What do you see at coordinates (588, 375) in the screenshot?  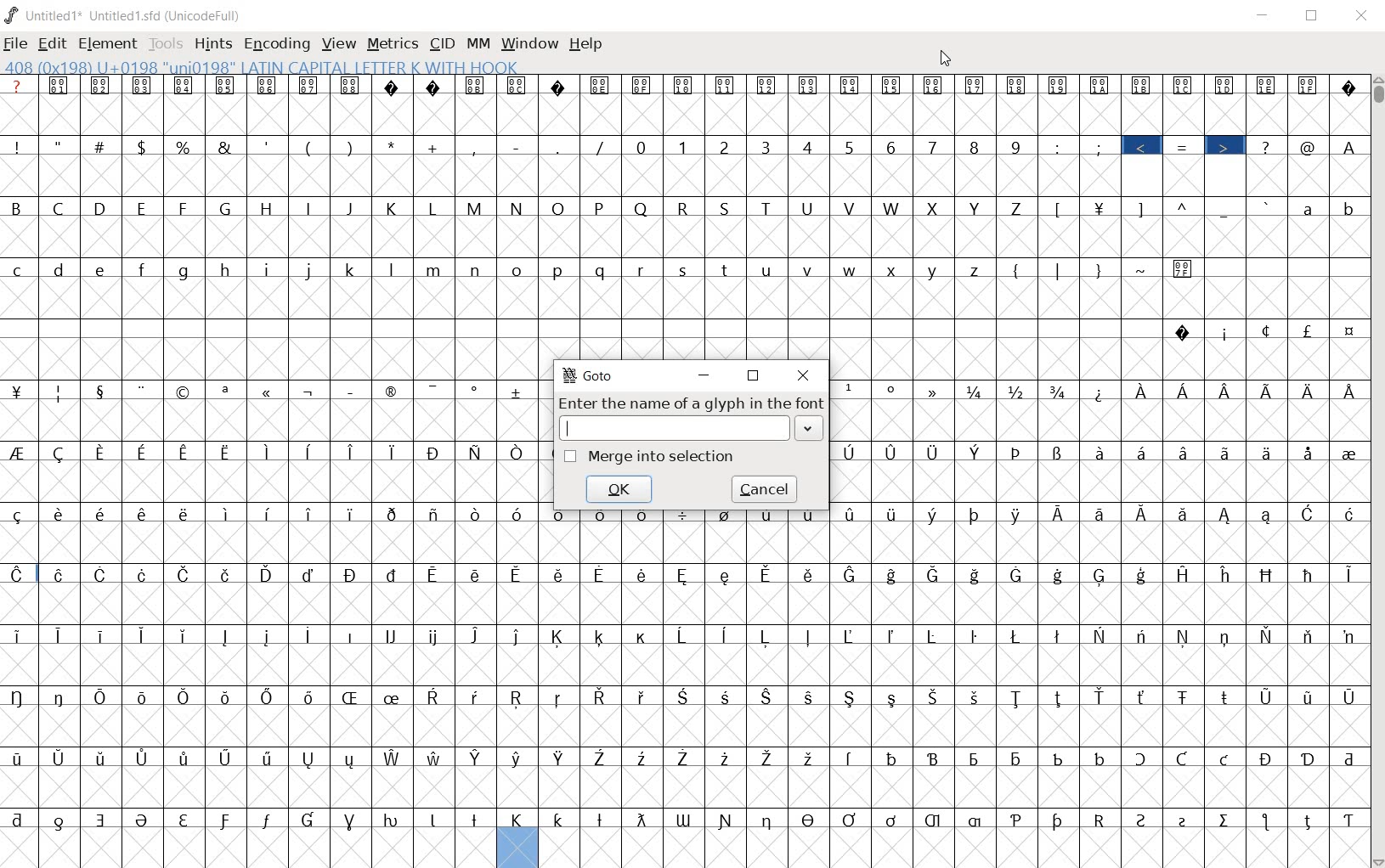 I see `GoTo` at bounding box center [588, 375].